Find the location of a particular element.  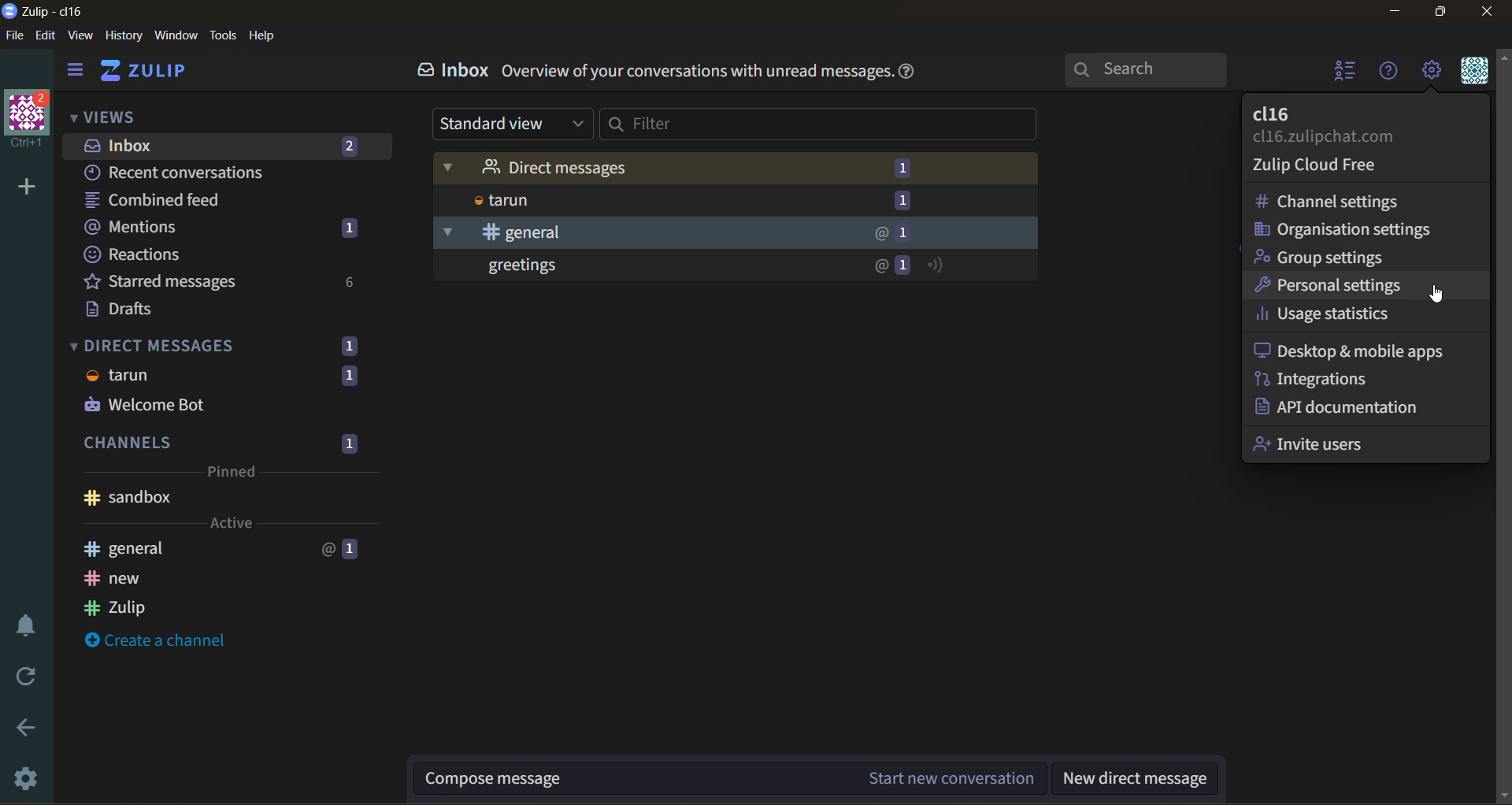

usage statistics is located at coordinates (1324, 313).